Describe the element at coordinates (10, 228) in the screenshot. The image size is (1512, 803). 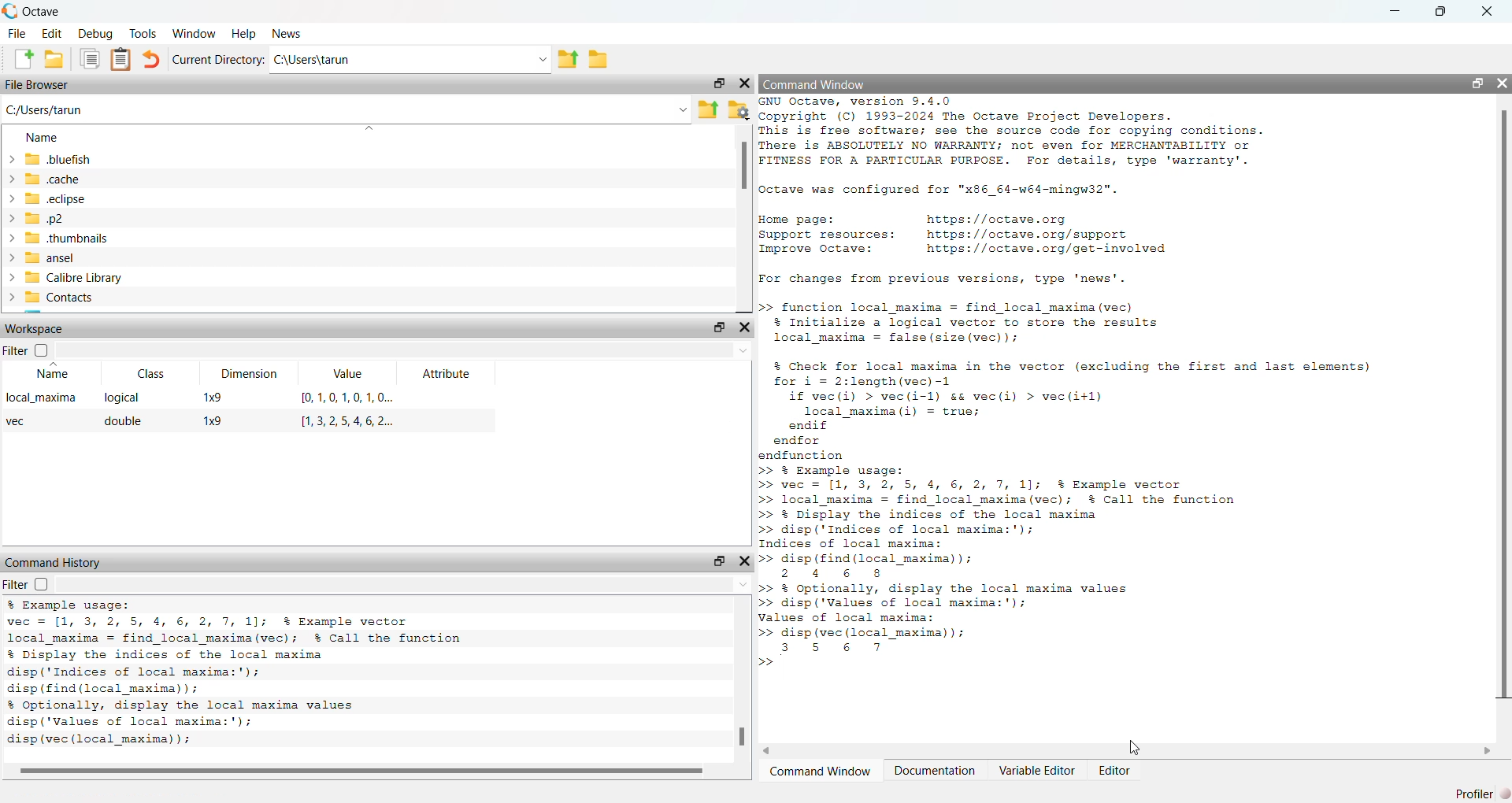
I see `expand/collapse` at that location.